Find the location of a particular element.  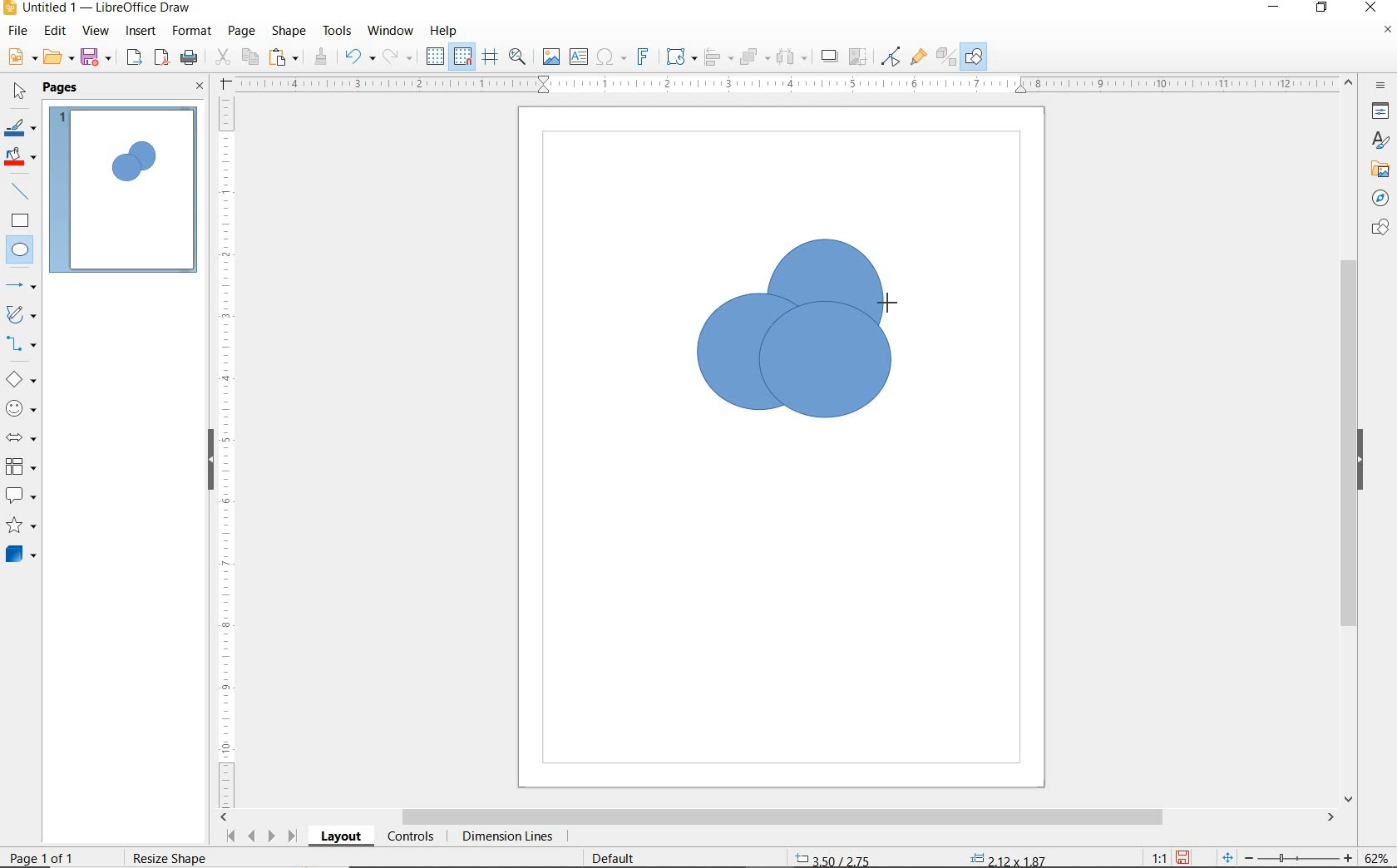

HELPLINES WHILE MOVING is located at coordinates (490, 57).